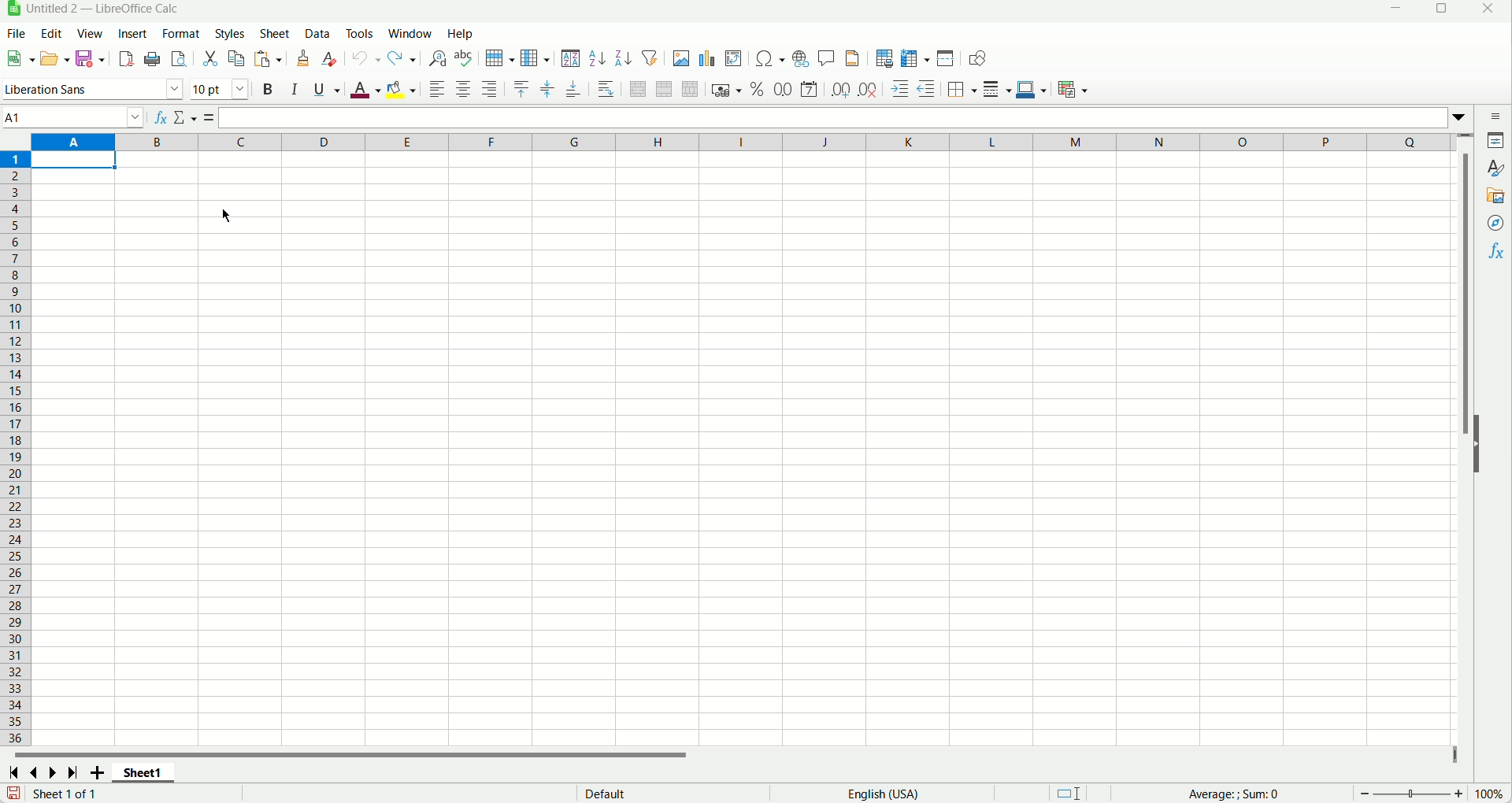 The image size is (1512, 803). What do you see at coordinates (614, 794) in the screenshot?
I see `text` at bounding box center [614, 794].